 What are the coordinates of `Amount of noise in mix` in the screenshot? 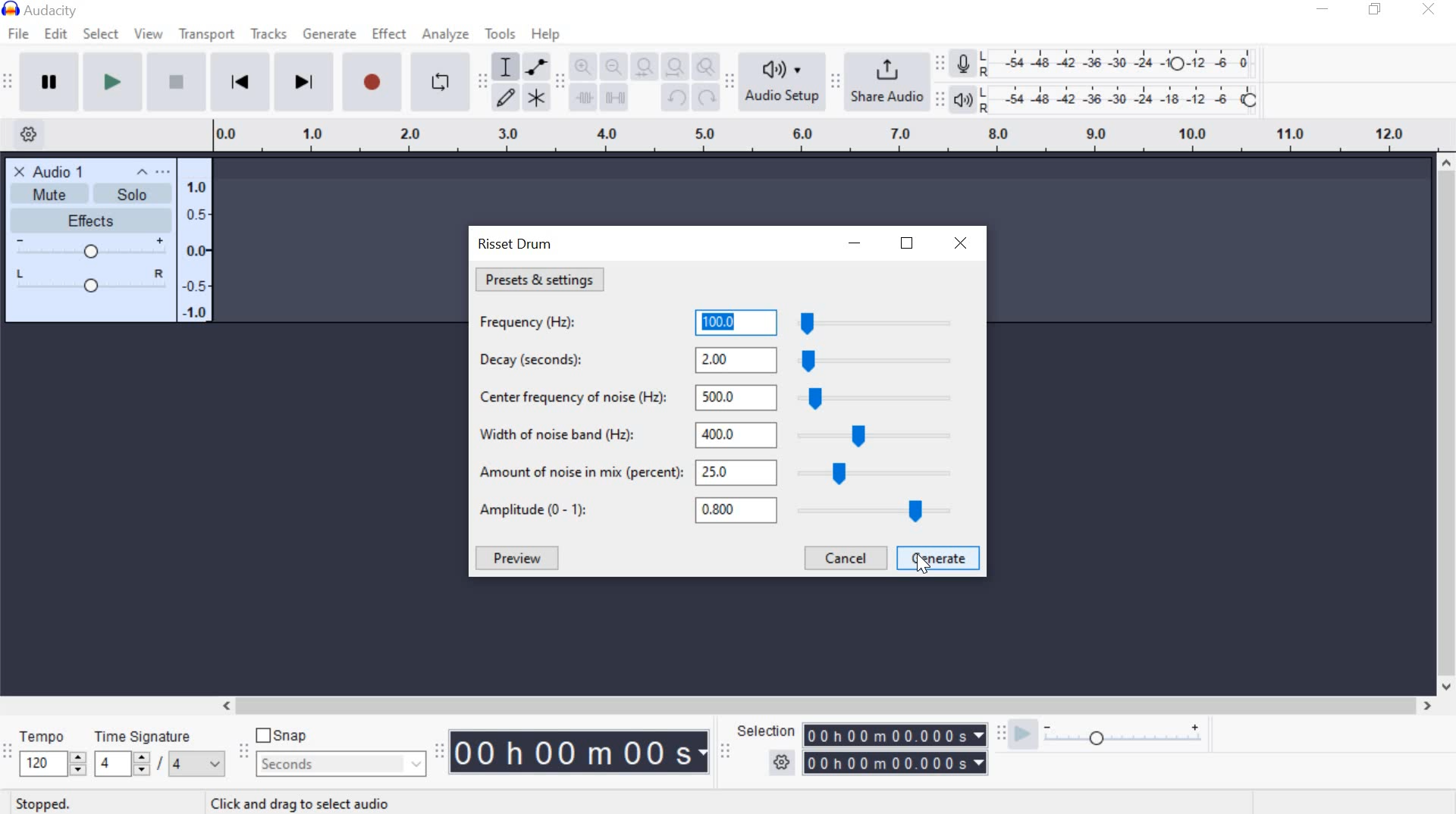 It's located at (726, 476).